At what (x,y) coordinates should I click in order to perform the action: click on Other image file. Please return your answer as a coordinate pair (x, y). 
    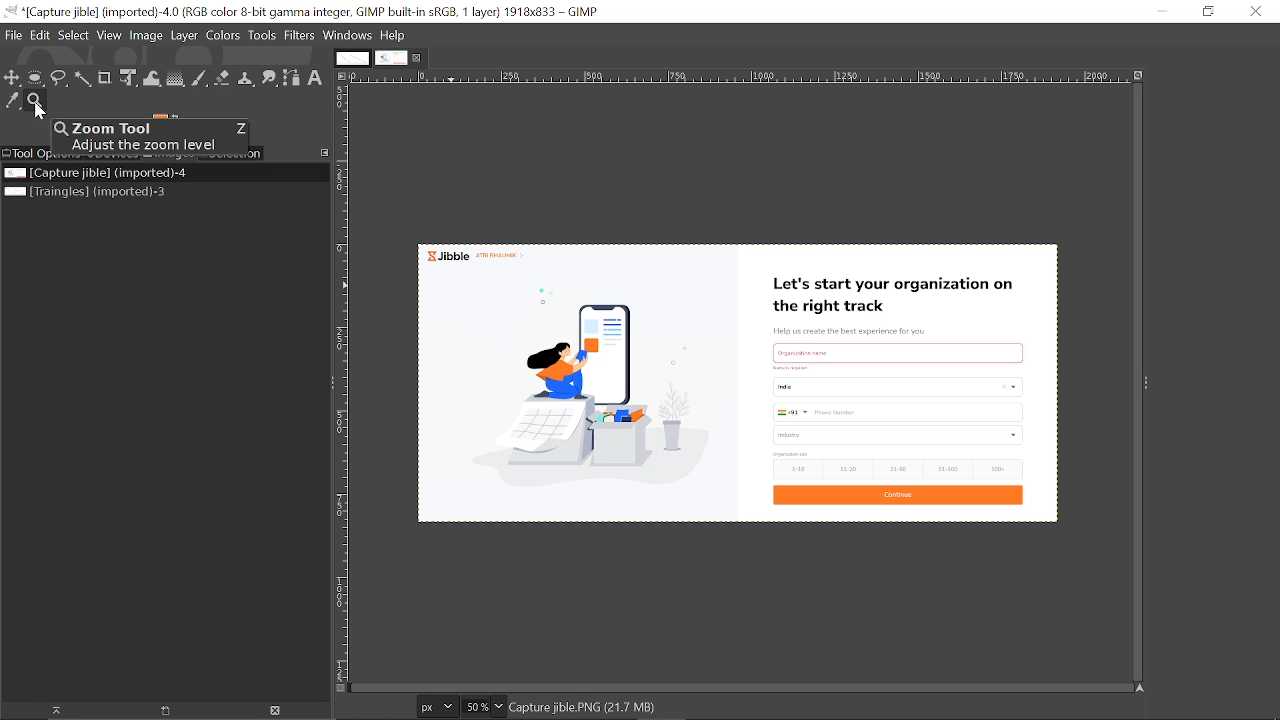
    Looking at the image, I should click on (116, 193).